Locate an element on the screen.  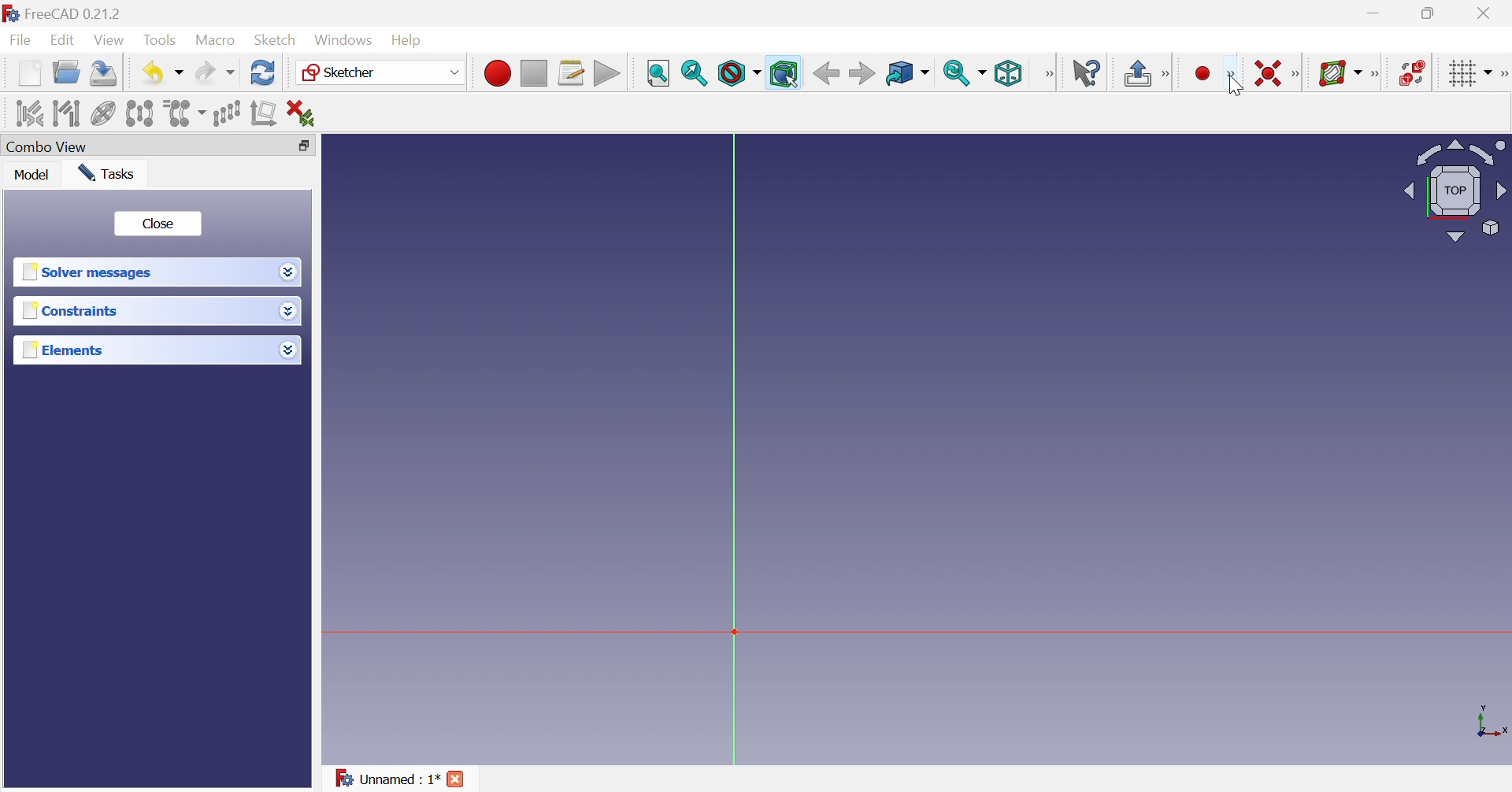
Macros... is located at coordinates (572, 74).